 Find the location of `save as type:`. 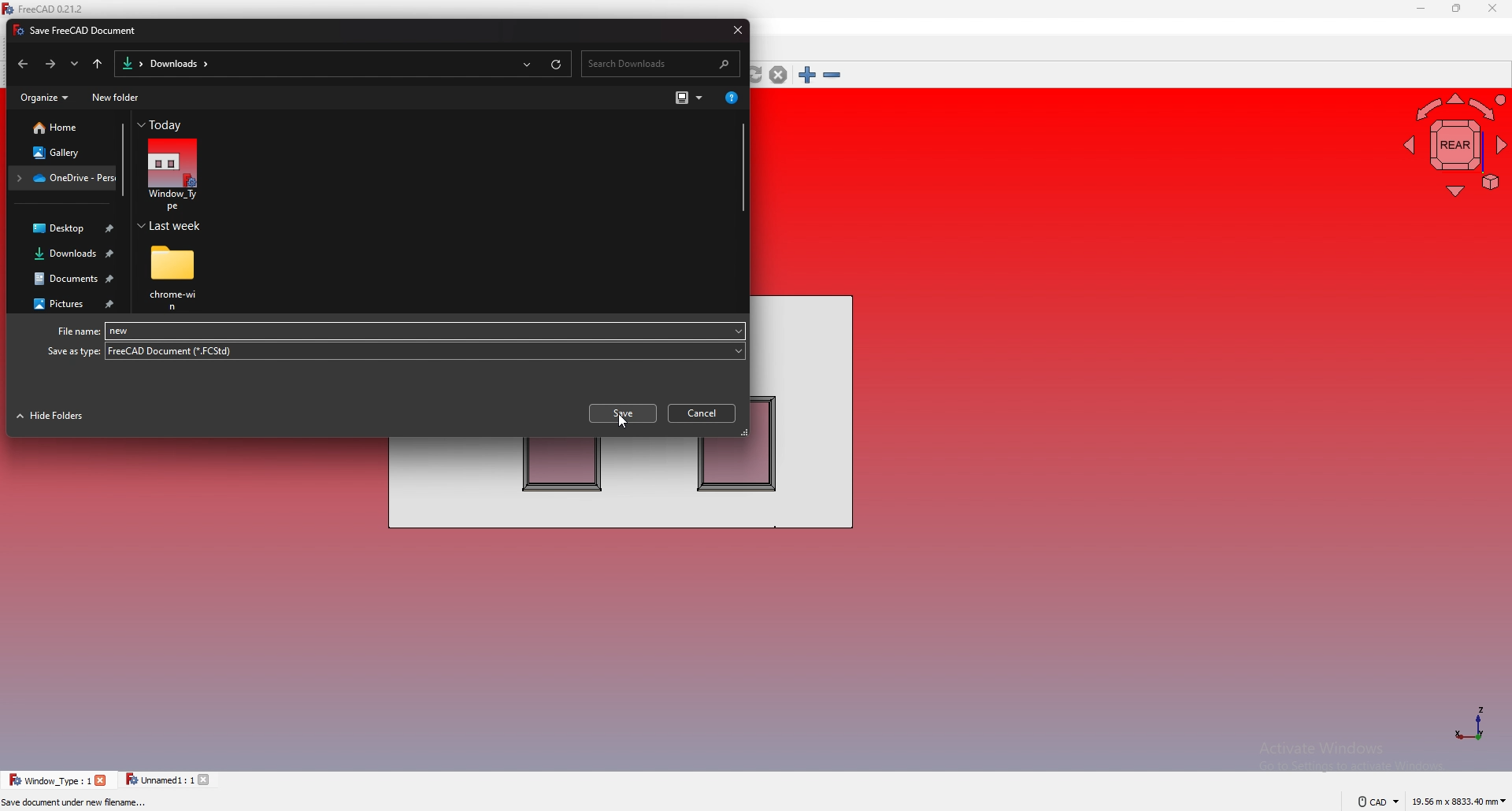

save as type: is located at coordinates (72, 351).